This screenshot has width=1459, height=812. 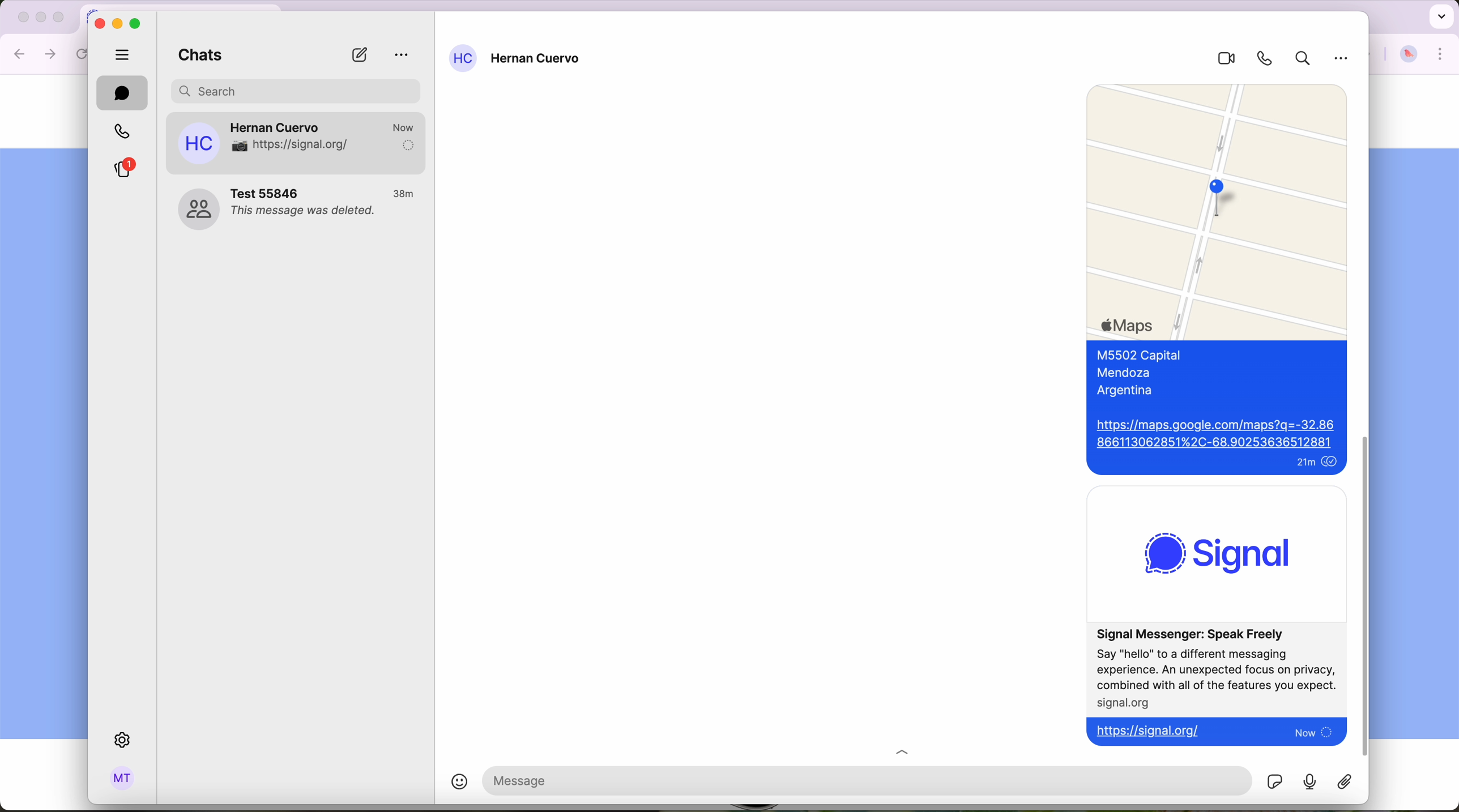 I want to click on Argentina, so click(x=1128, y=392).